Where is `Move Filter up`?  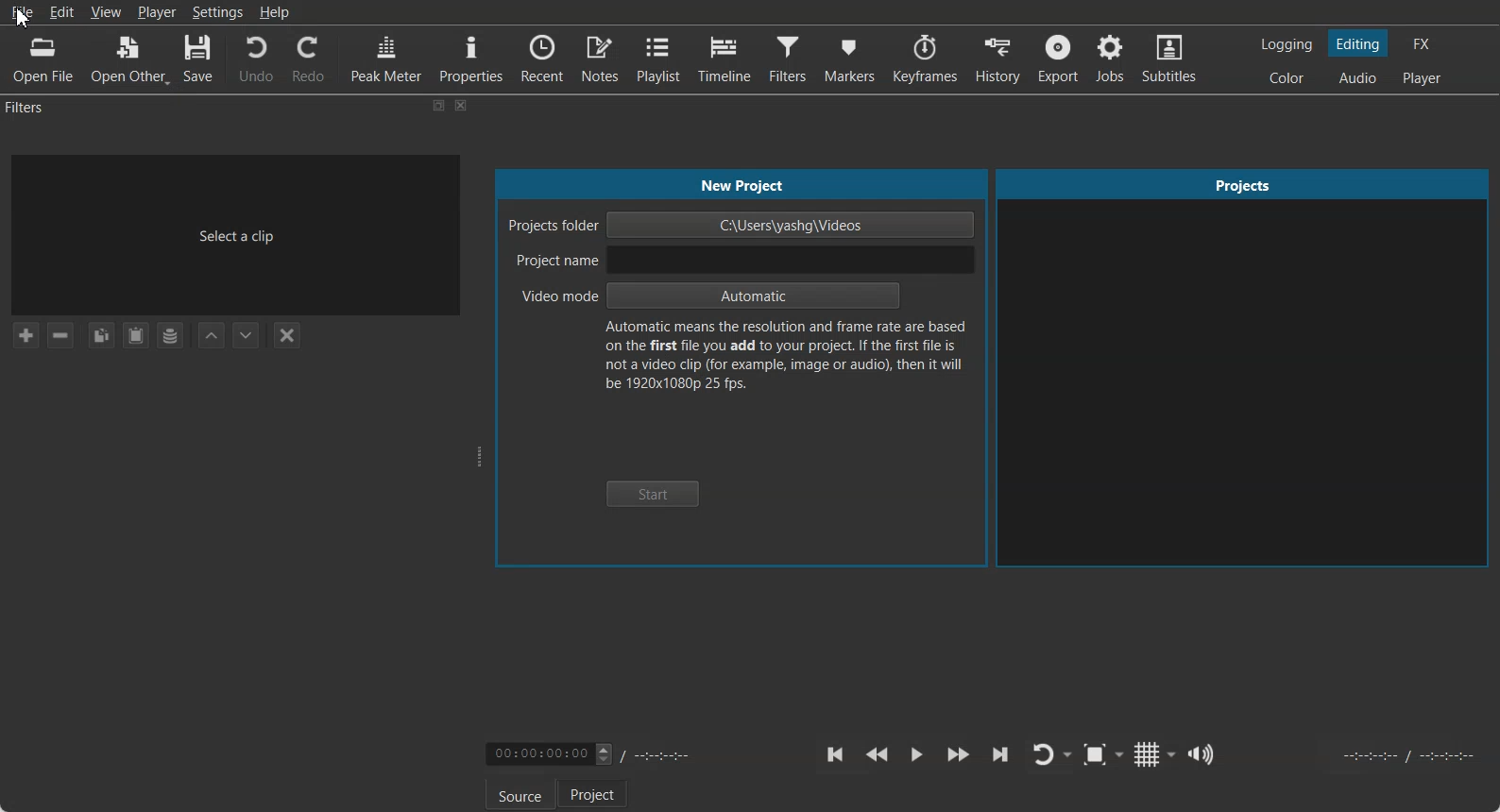 Move Filter up is located at coordinates (212, 336).